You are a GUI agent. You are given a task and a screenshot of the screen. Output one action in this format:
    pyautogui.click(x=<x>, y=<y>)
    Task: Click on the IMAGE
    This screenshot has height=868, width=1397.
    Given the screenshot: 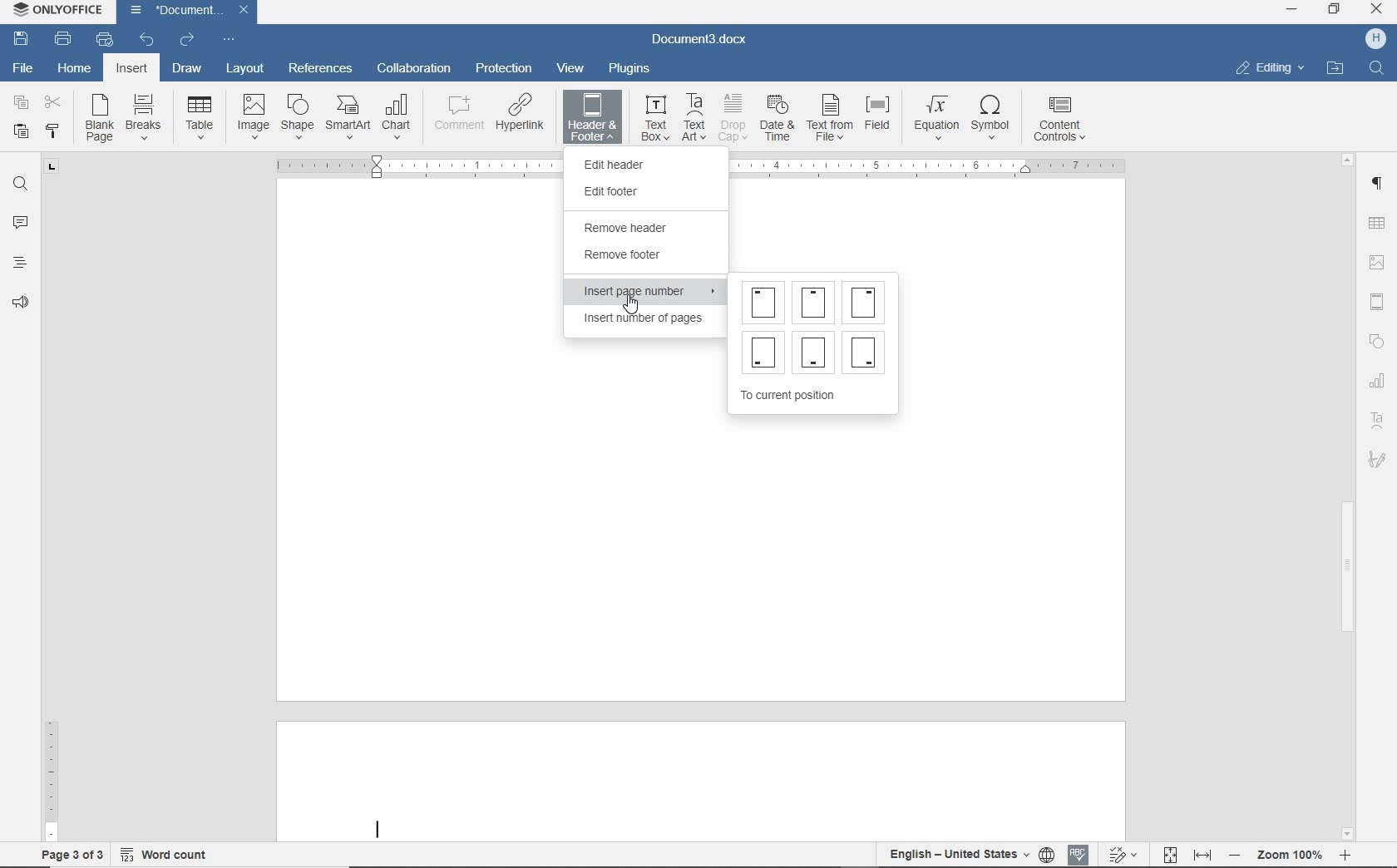 What is the action you would take?
    pyautogui.click(x=1379, y=264)
    